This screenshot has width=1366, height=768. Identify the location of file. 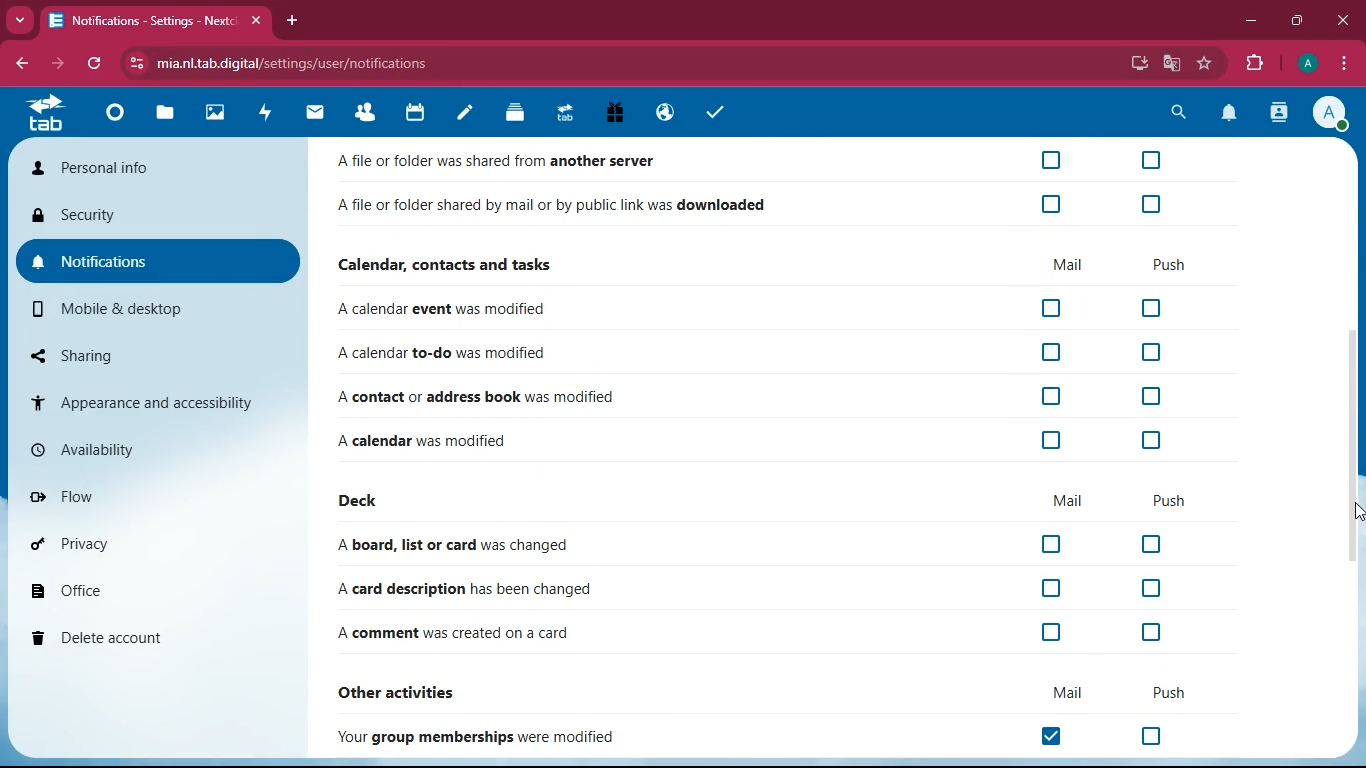
(162, 113).